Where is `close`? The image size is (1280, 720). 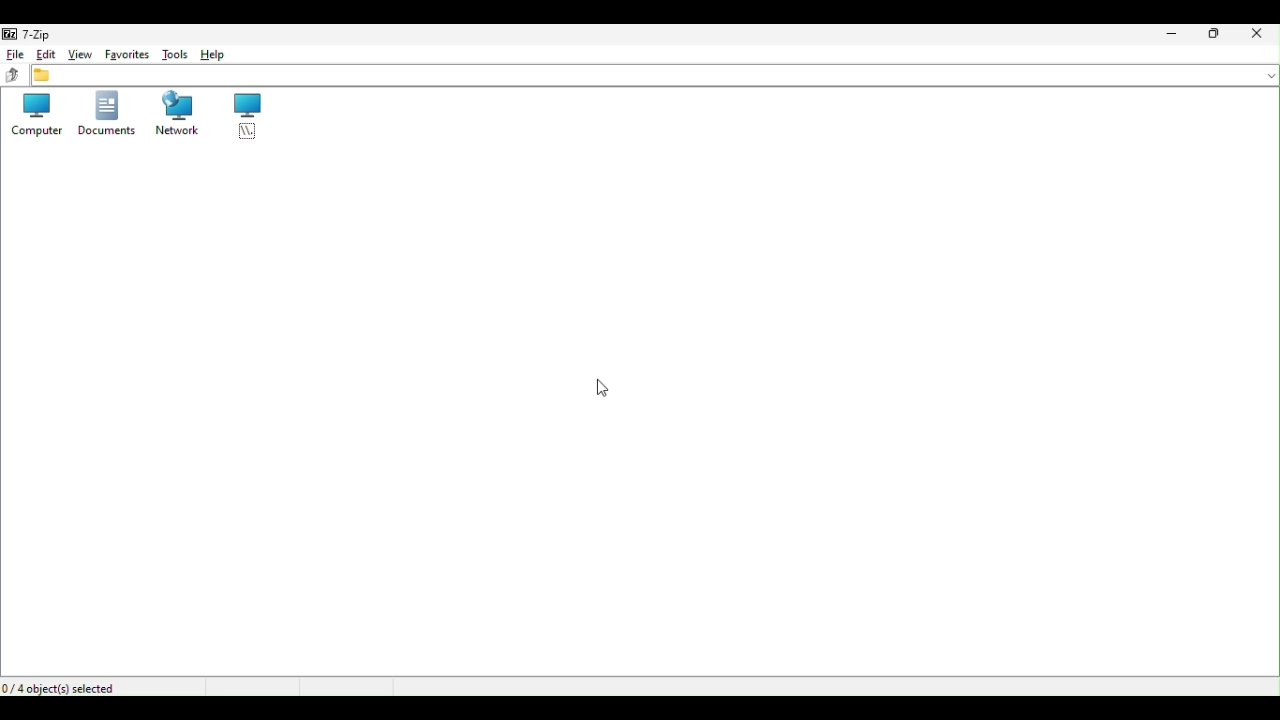 close is located at coordinates (1261, 32).